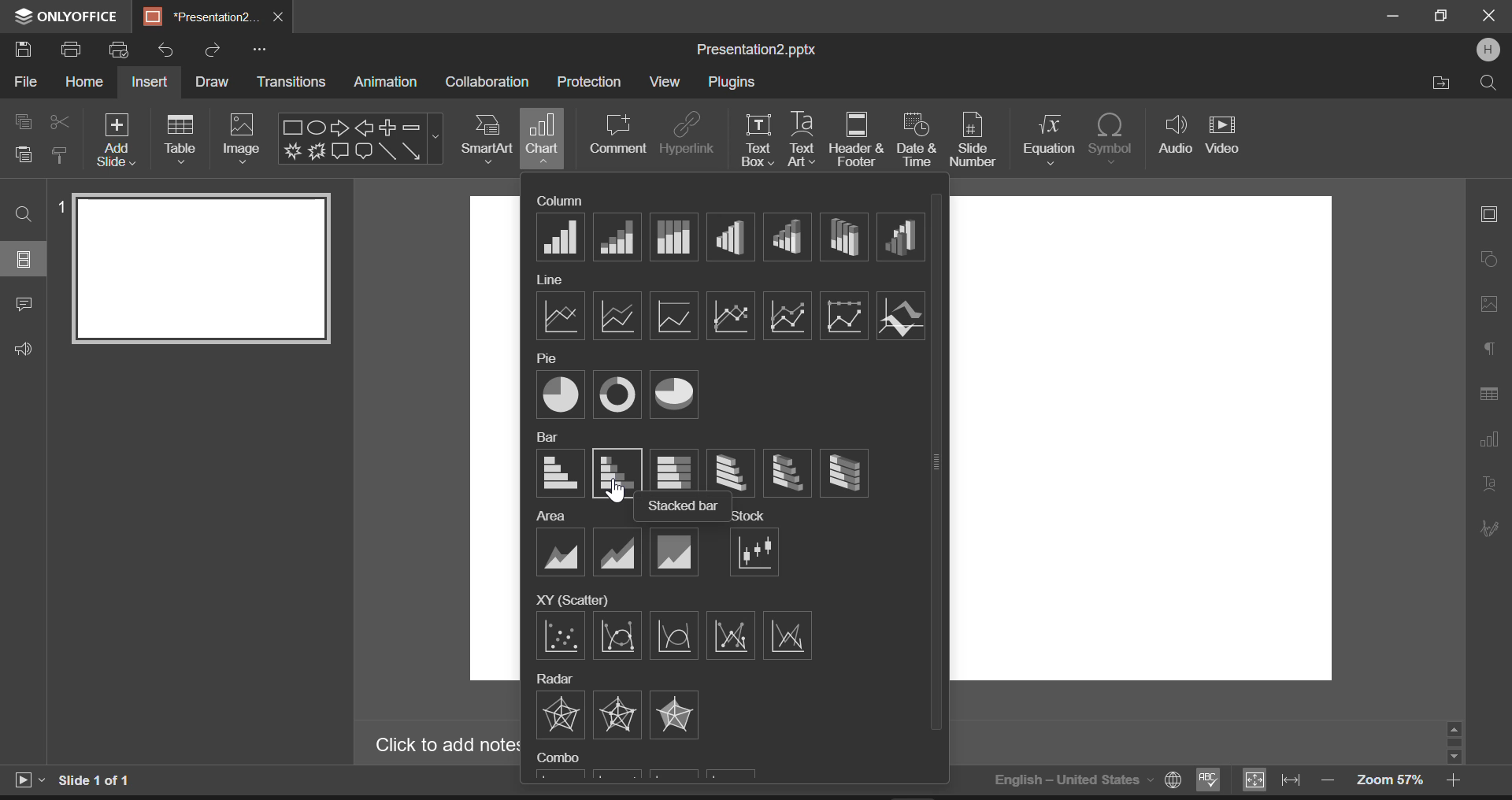 The height and width of the screenshot is (800, 1512). Describe the element at coordinates (242, 137) in the screenshot. I see `Image` at that location.